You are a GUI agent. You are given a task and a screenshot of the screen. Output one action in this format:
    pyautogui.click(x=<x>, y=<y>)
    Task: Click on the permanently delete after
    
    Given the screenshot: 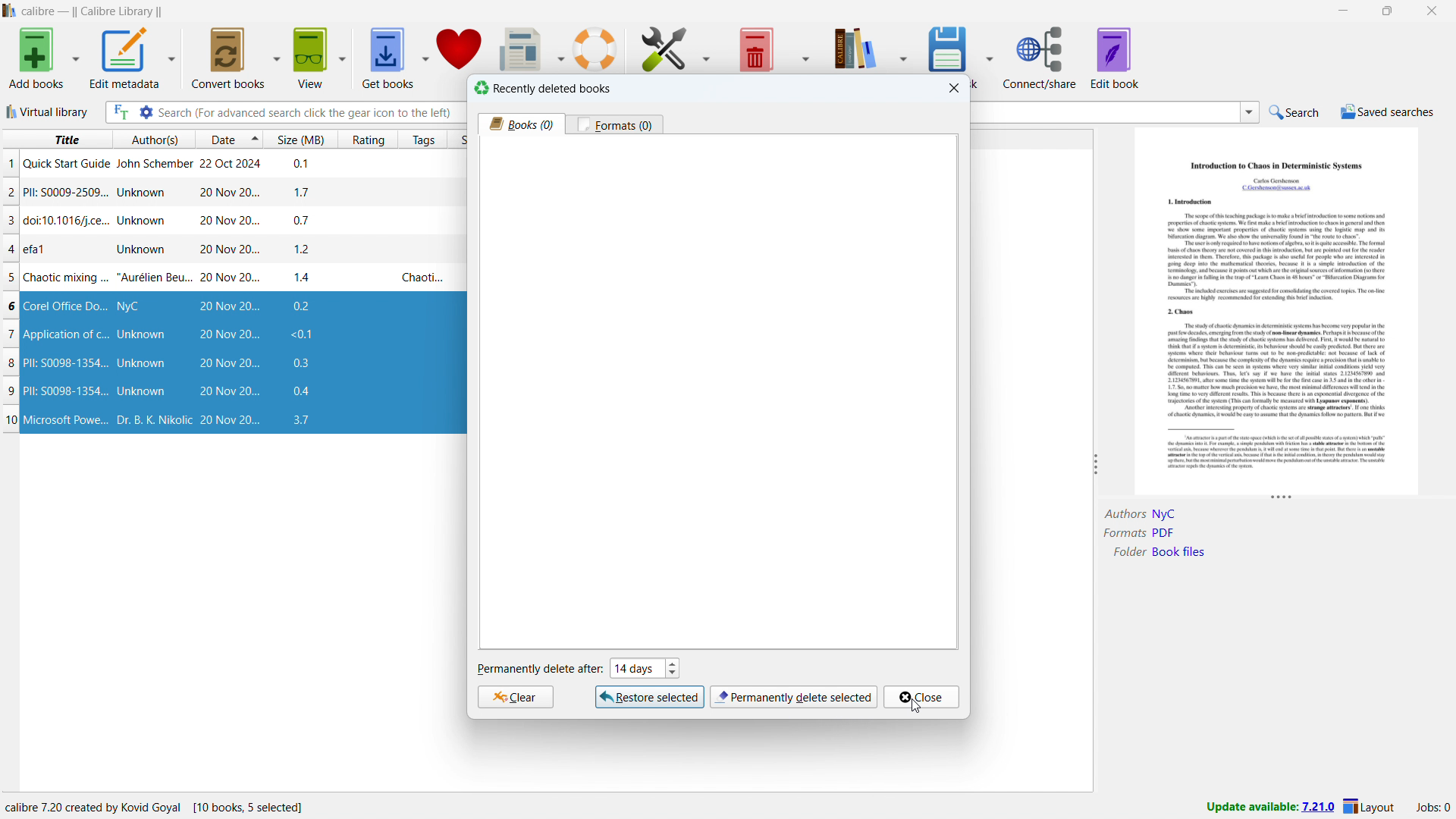 What is the action you would take?
    pyautogui.click(x=539, y=670)
    